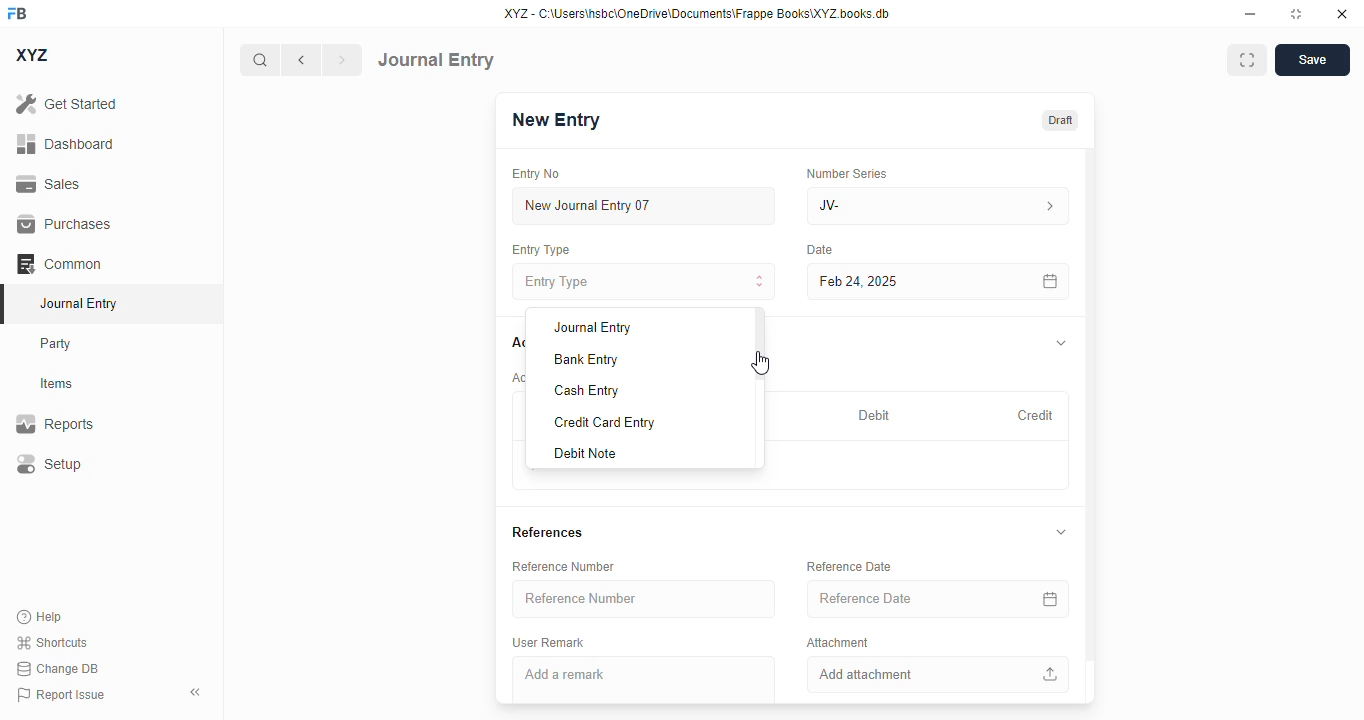 Image resolution: width=1364 pixels, height=720 pixels. What do you see at coordinates (65, 143) in the screenshot?
I see `dashboard` at bounding box center [65, 143].